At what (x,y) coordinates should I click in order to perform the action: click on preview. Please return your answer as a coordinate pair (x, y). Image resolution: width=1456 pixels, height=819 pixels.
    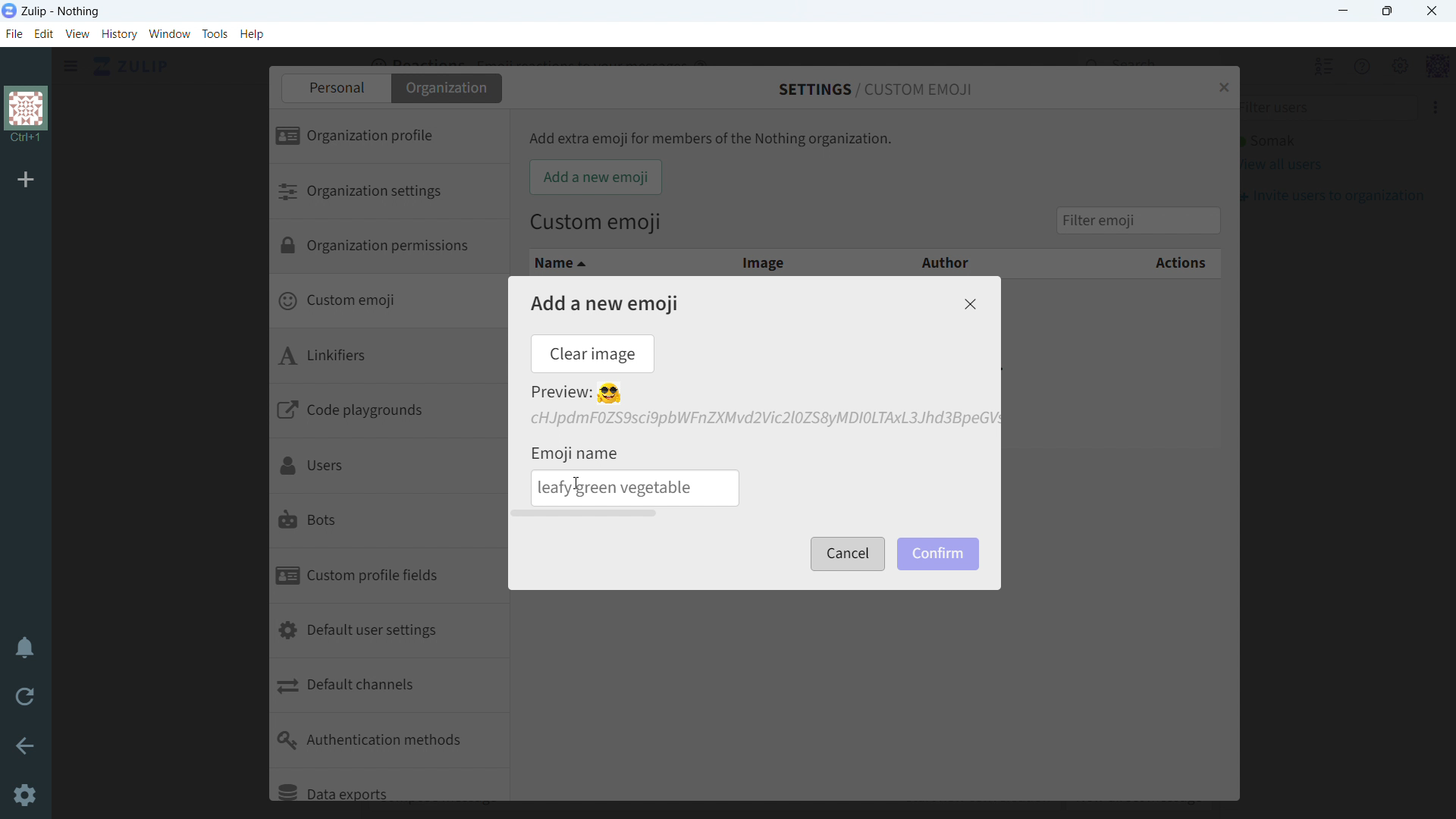
    Looking at the image, I should click on (576, 394).